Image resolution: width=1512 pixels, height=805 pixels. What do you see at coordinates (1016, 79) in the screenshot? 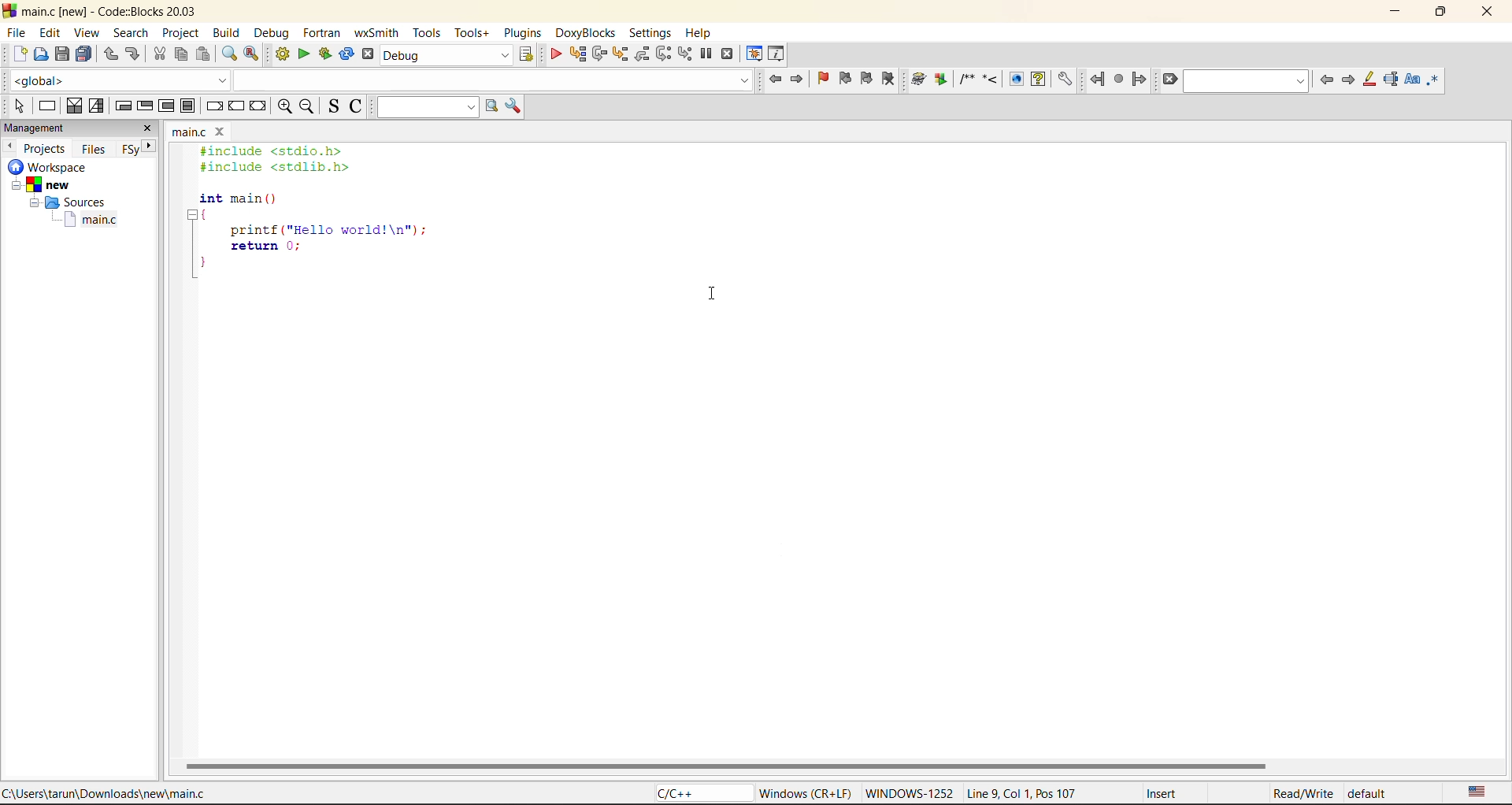
I see `View generated HTML documentation` at bounding box center [1016, 79].